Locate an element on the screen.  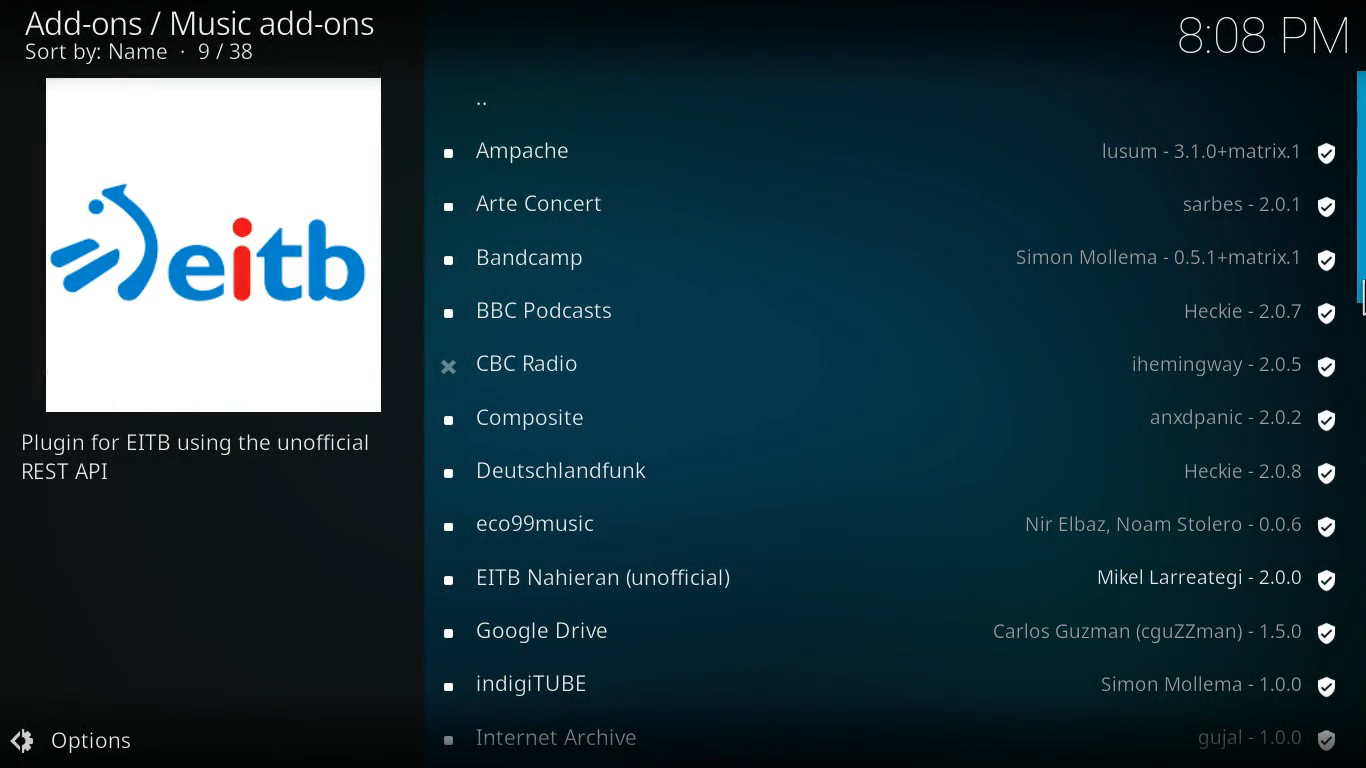
add-ons is located at coordinates (546, 628).